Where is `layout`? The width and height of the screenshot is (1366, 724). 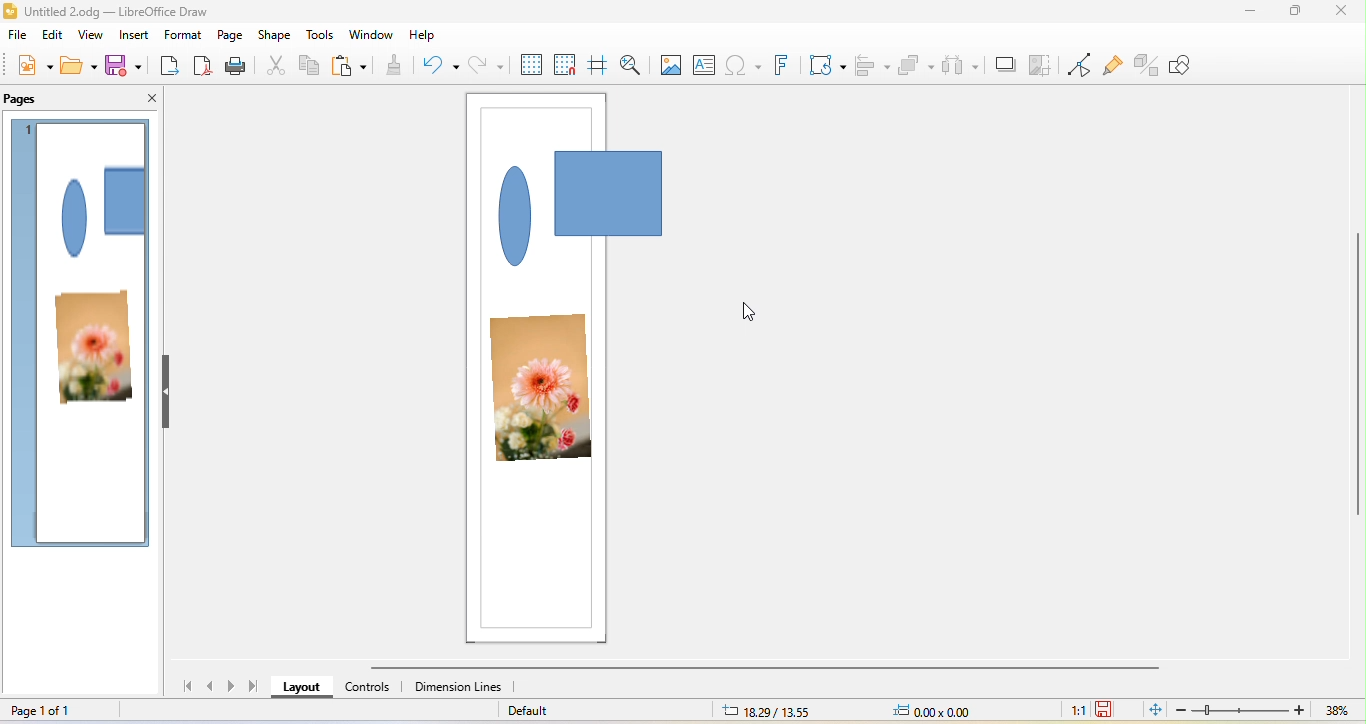
layout is located at coordinates (299, 688).